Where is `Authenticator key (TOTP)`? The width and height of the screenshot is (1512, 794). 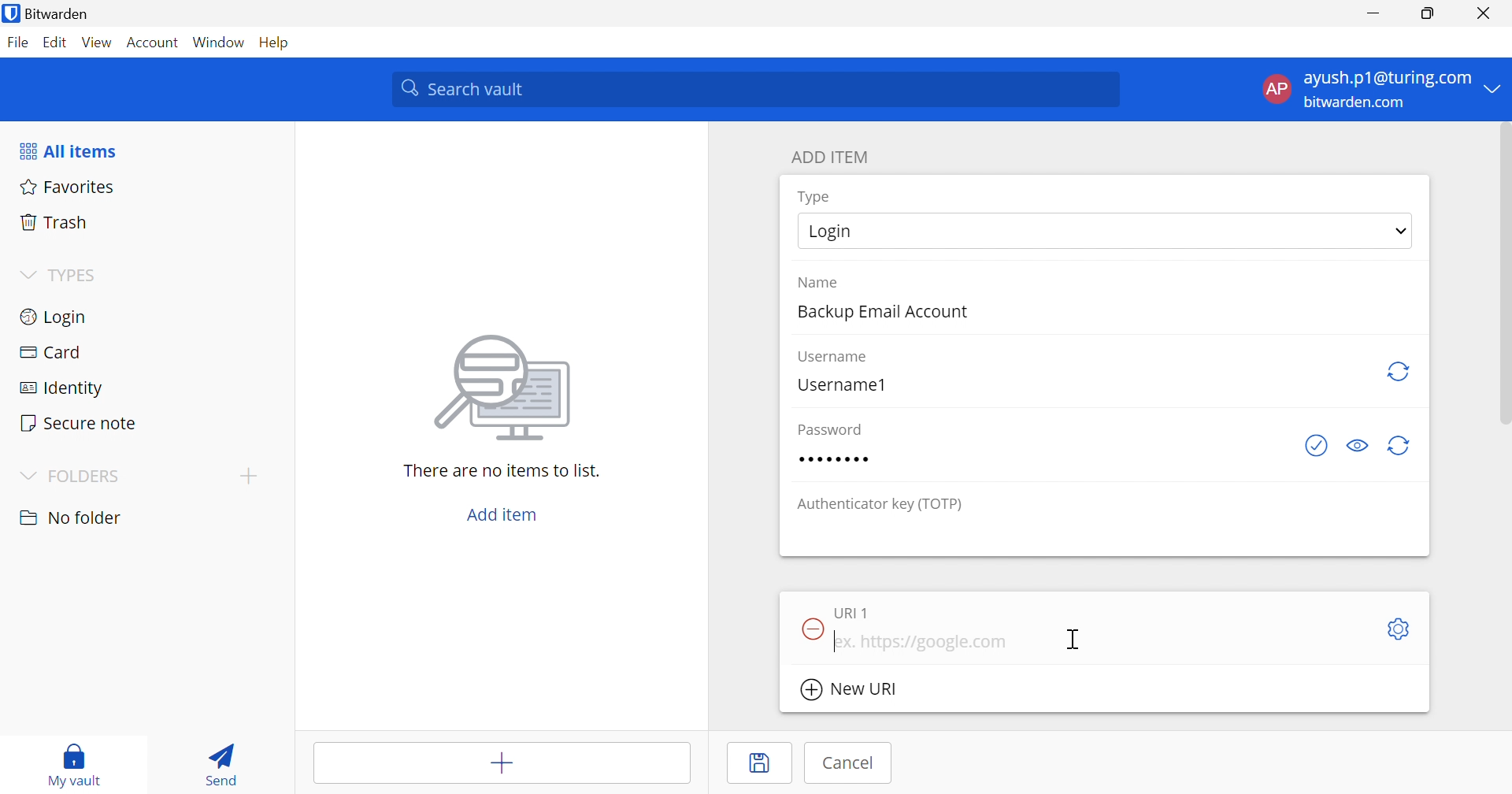 Authenticator key (TOTP) is located at coordinates (880, 506).